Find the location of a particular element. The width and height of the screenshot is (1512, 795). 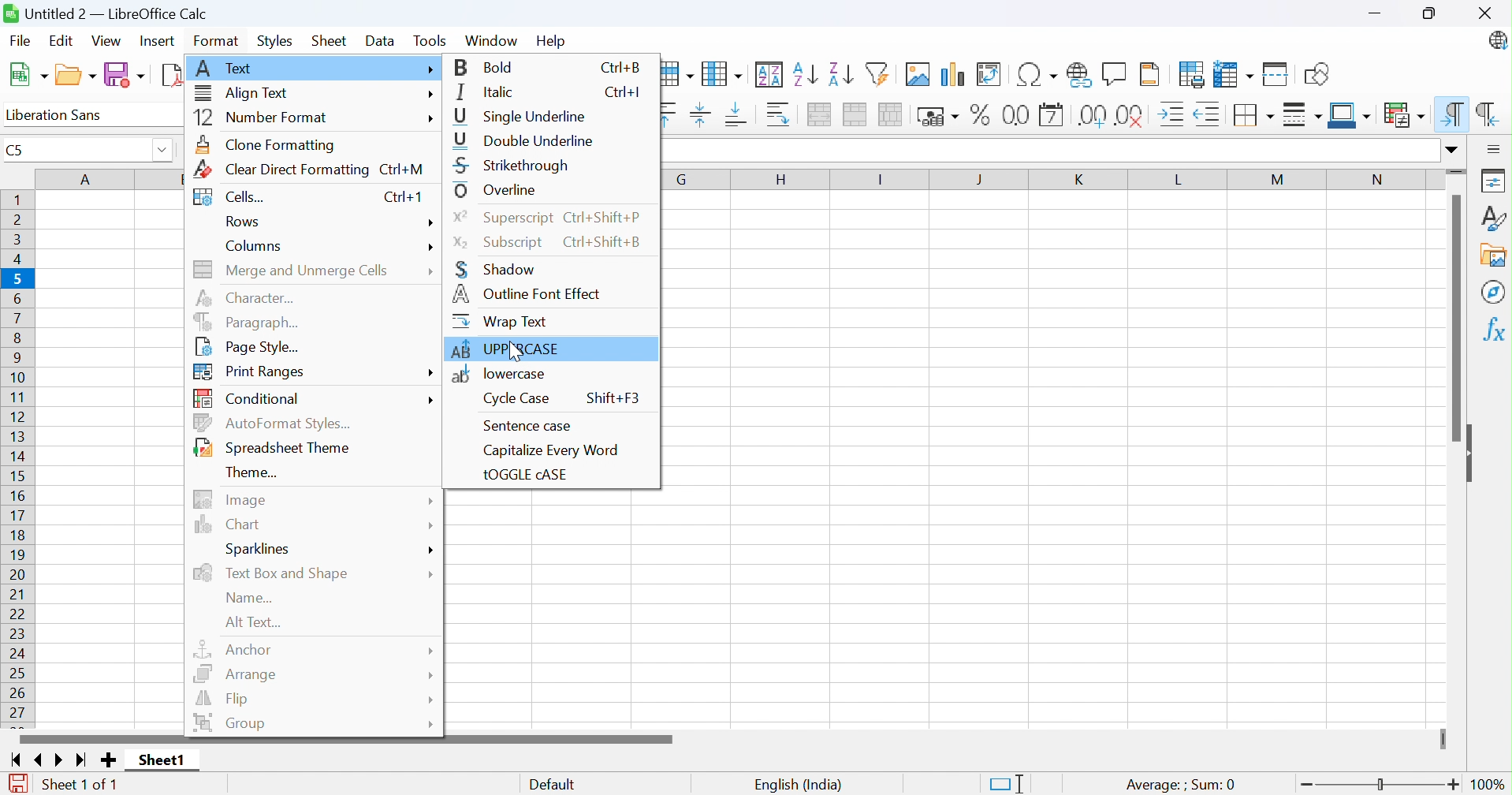

Format is located at coordinates (214, 41).